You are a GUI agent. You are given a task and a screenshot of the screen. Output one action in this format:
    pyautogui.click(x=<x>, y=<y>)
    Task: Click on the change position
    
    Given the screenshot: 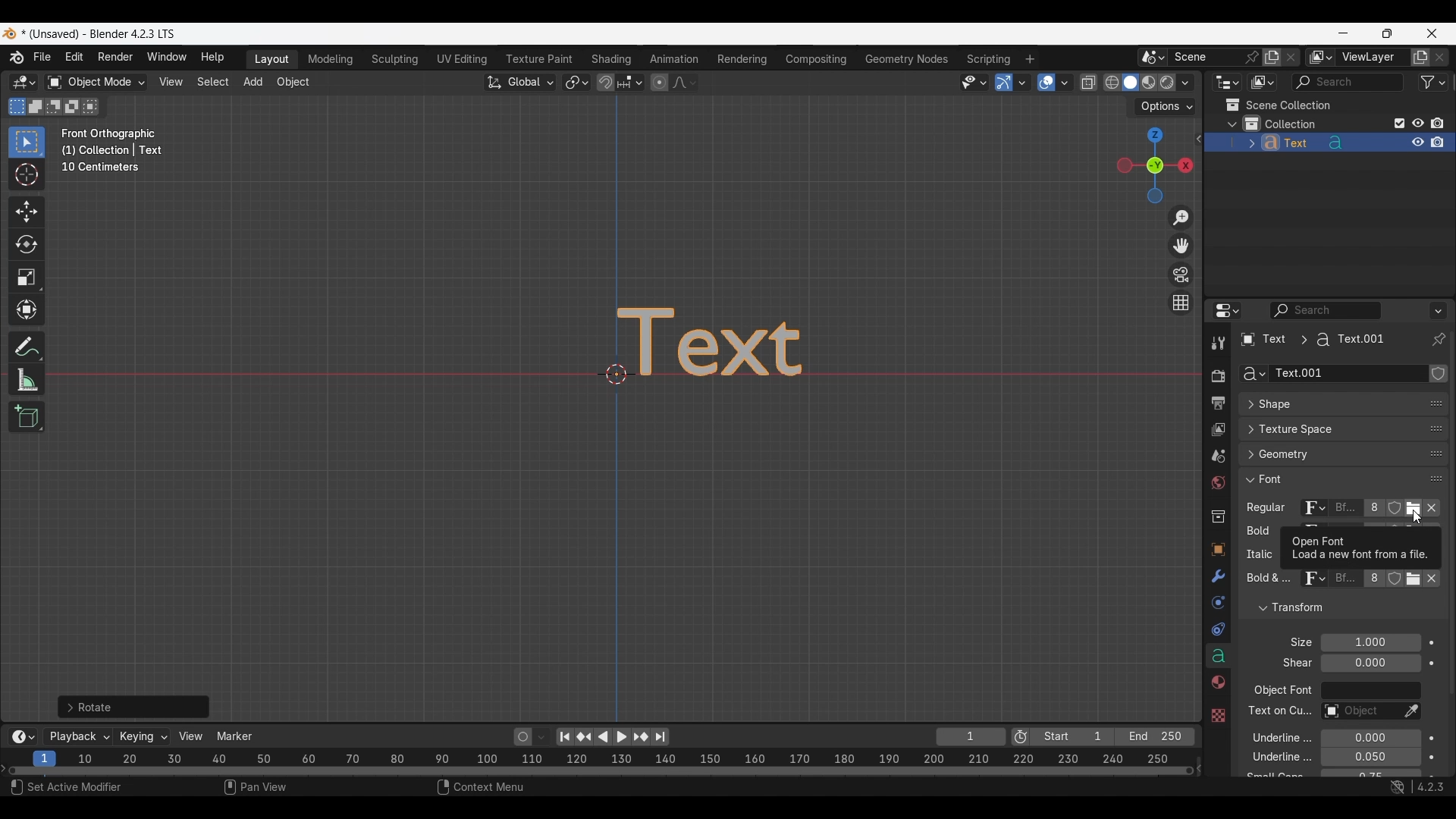 What is the action you would take?
    pyautogui.click(x=1434, y=455)
    